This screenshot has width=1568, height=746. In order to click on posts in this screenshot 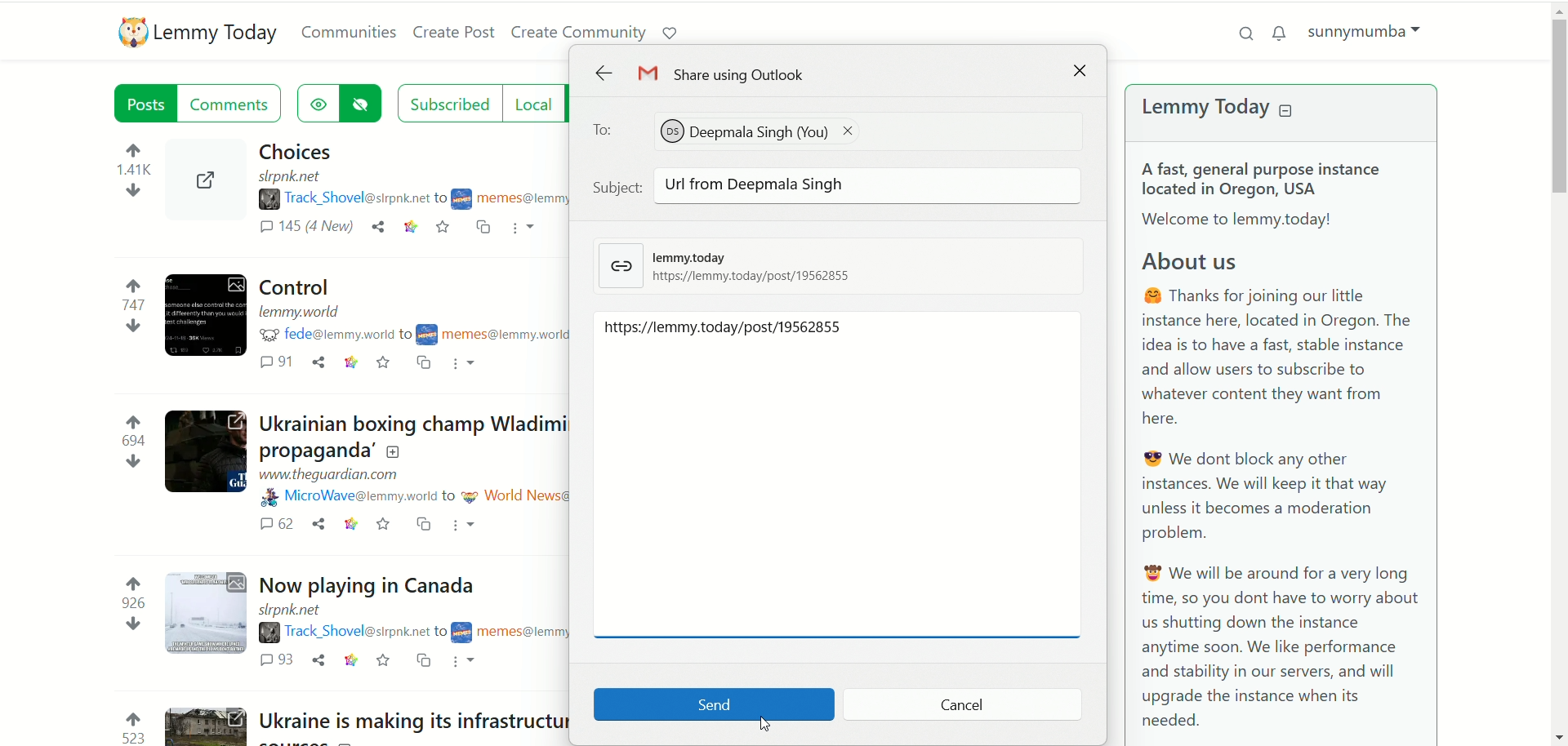, I will do `click(146, 102)`.